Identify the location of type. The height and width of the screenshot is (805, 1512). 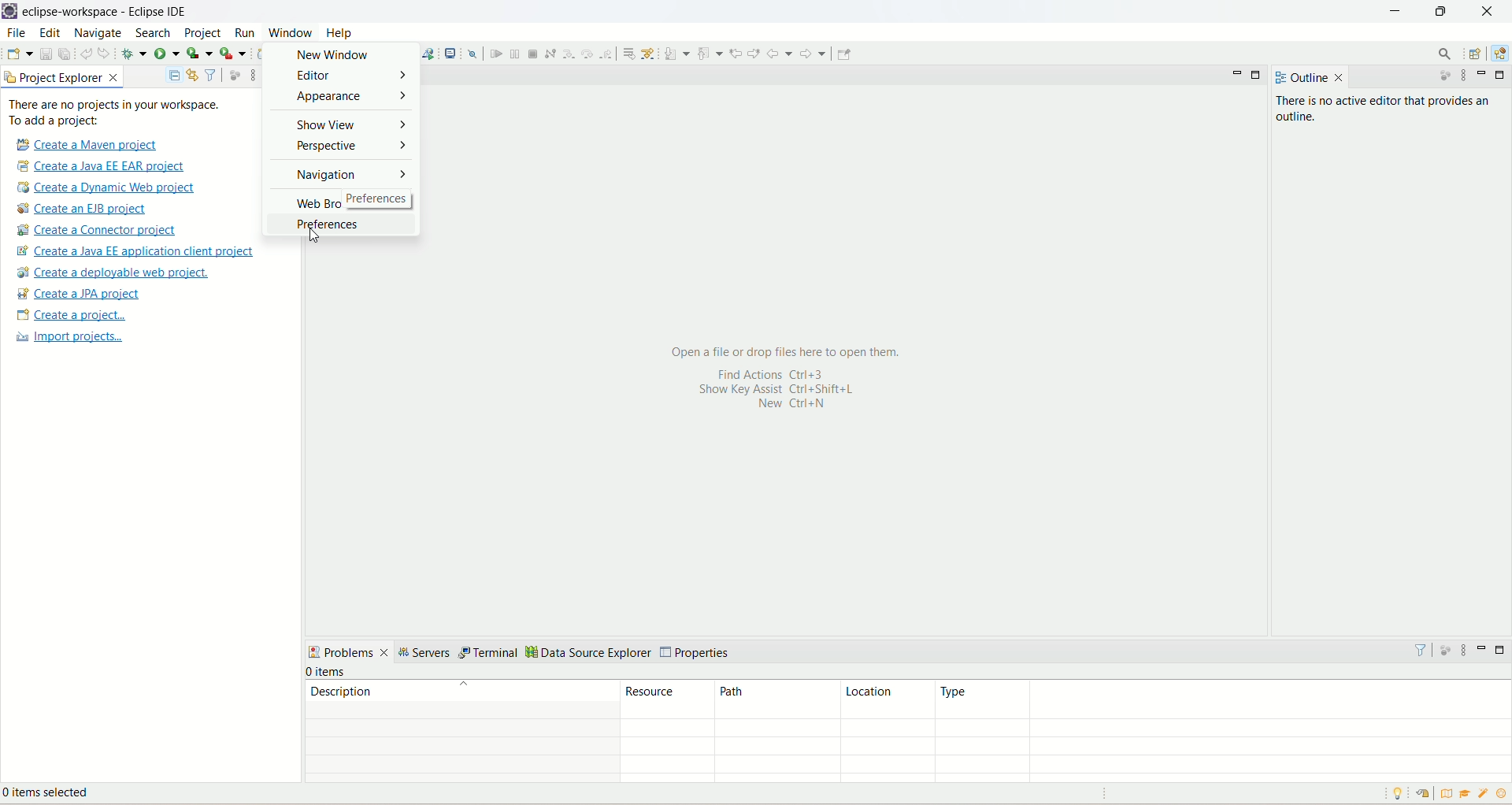
(1222, 699).